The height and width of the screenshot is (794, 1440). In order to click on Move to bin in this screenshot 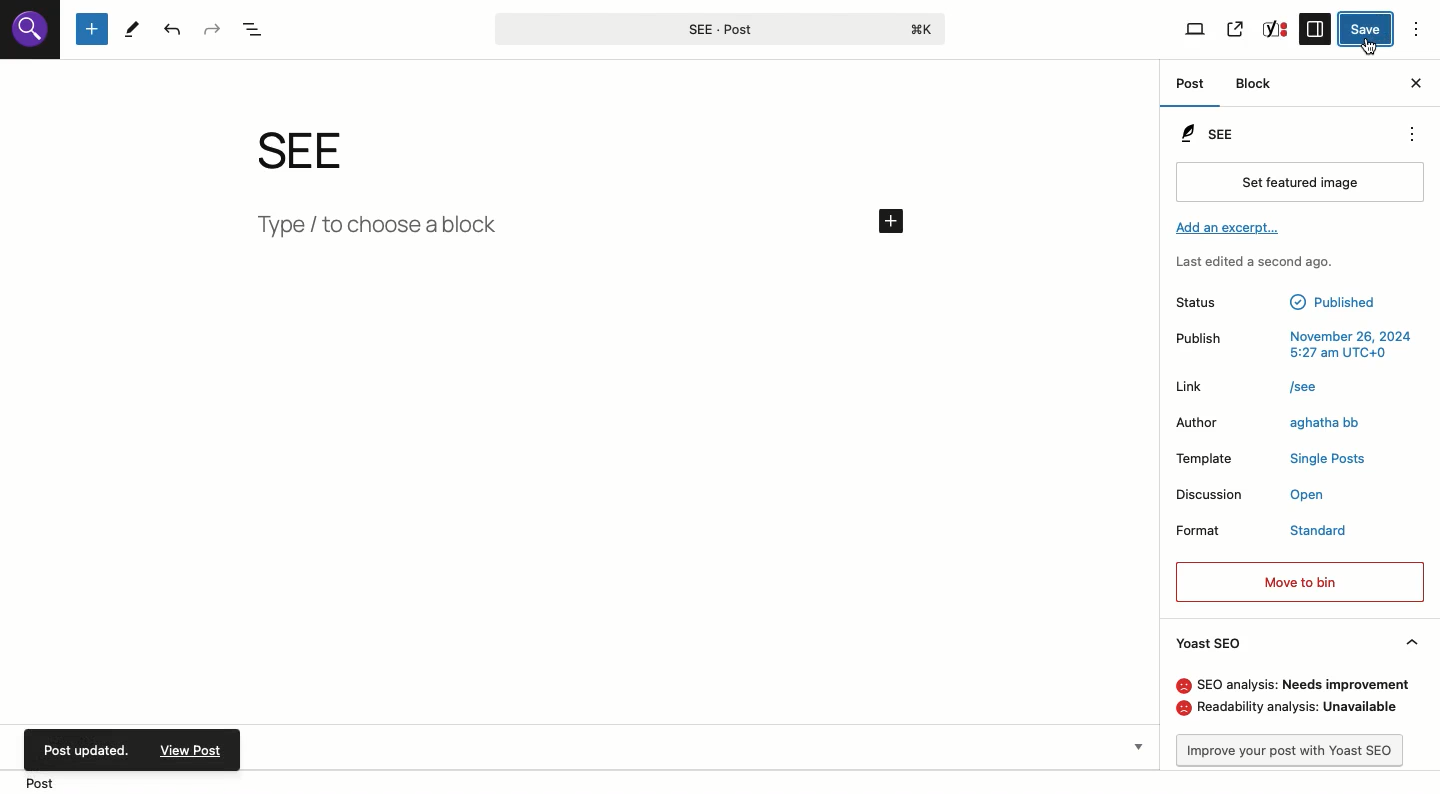, I will do `click(1300, 580)`.